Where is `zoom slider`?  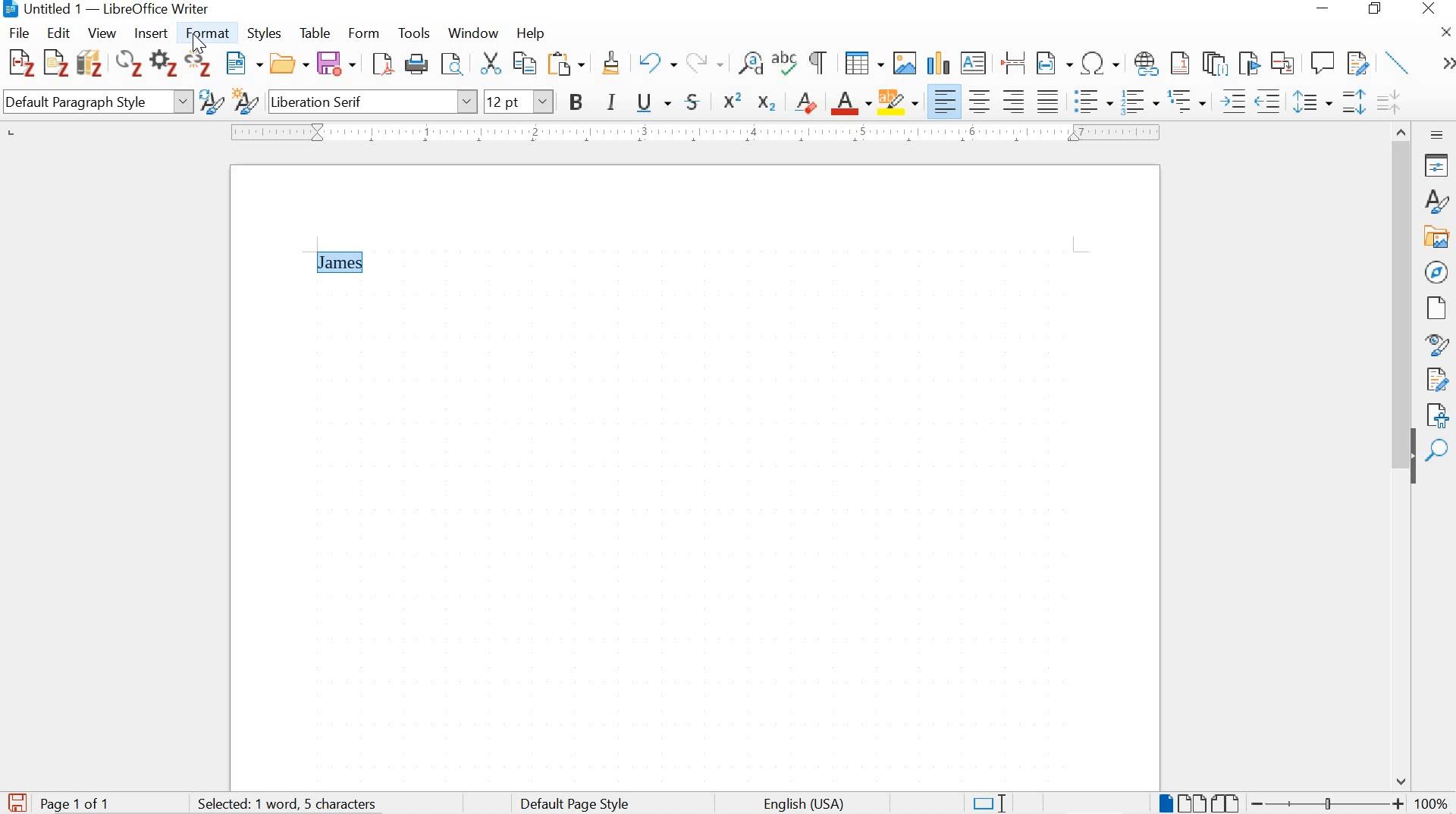 zoom slider is located at coordinates (1323, 803).